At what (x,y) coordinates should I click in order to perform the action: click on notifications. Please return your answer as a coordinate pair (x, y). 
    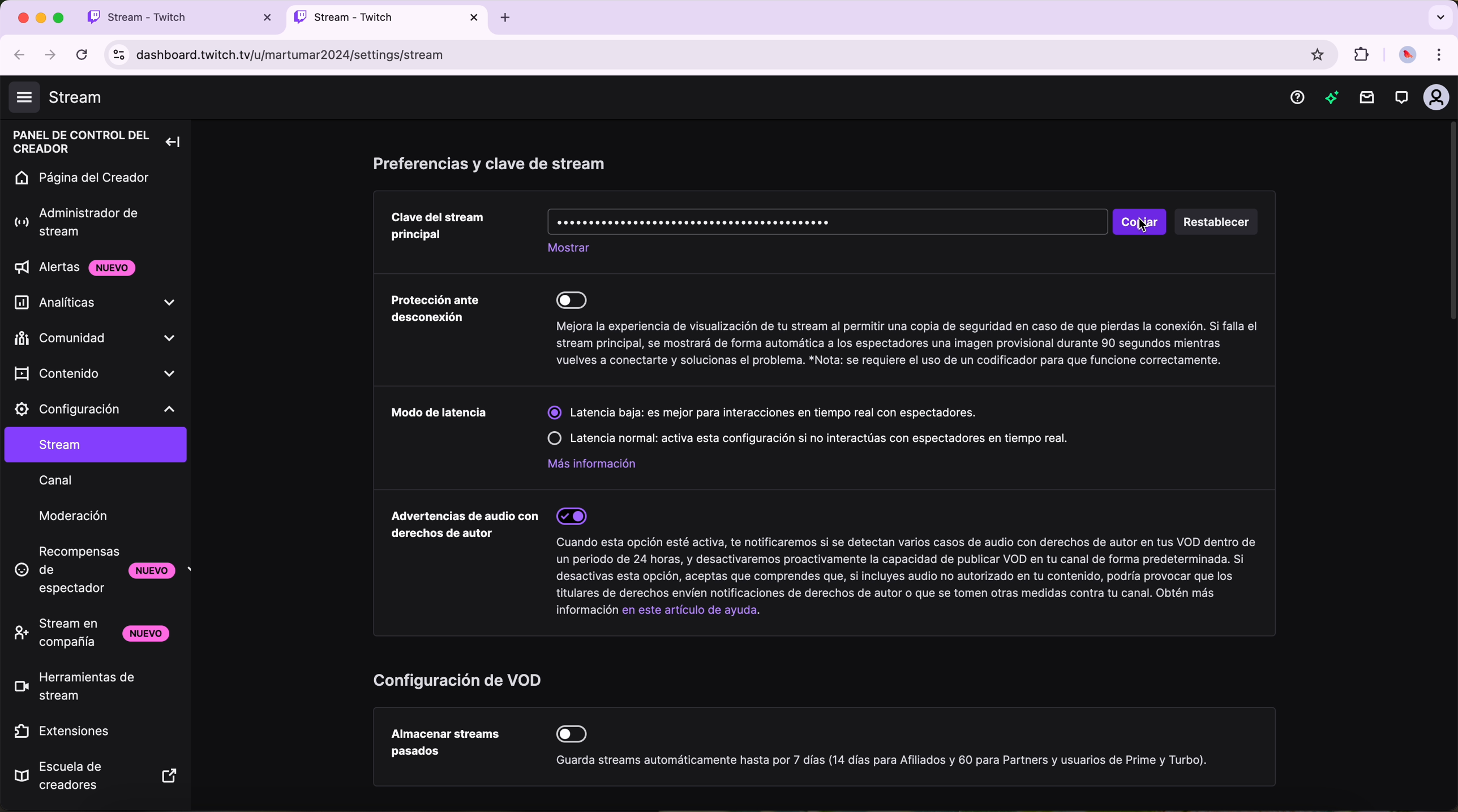
    Looking at the image, I should click on (1370, 97).